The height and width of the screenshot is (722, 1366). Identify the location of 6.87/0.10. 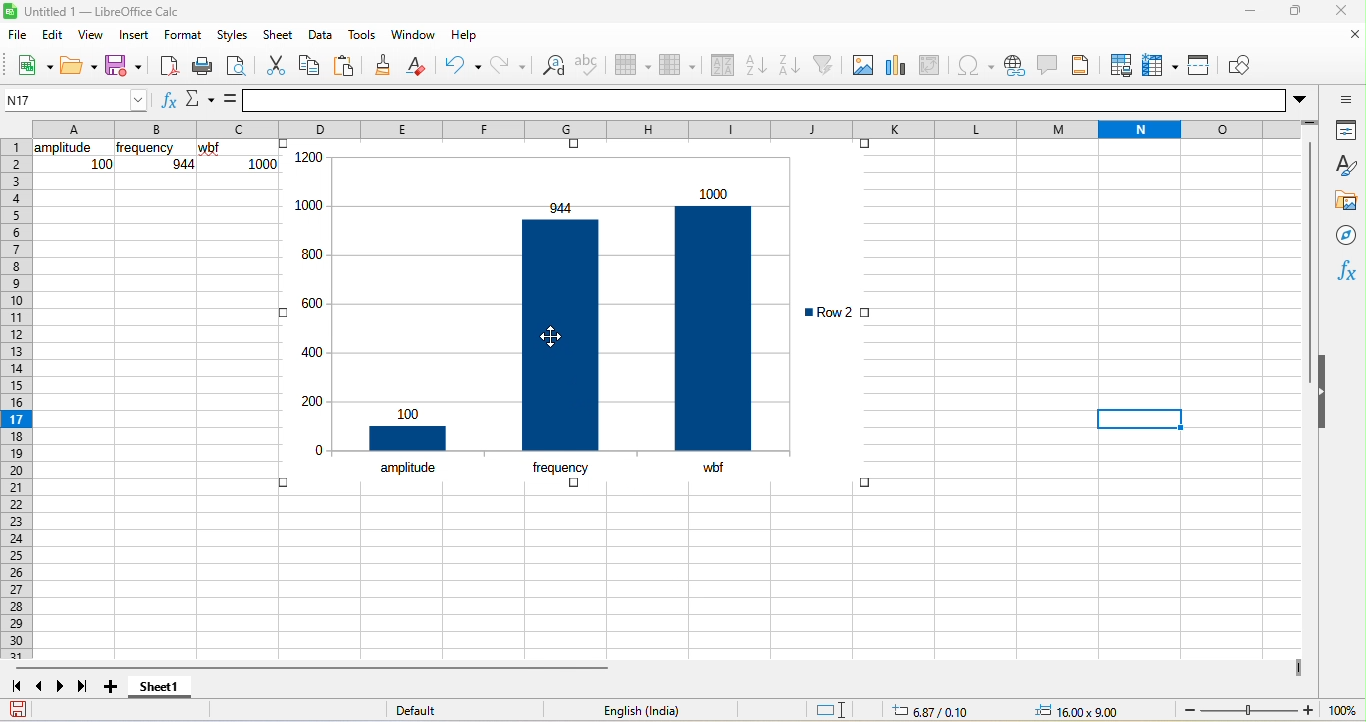
(936, 714).